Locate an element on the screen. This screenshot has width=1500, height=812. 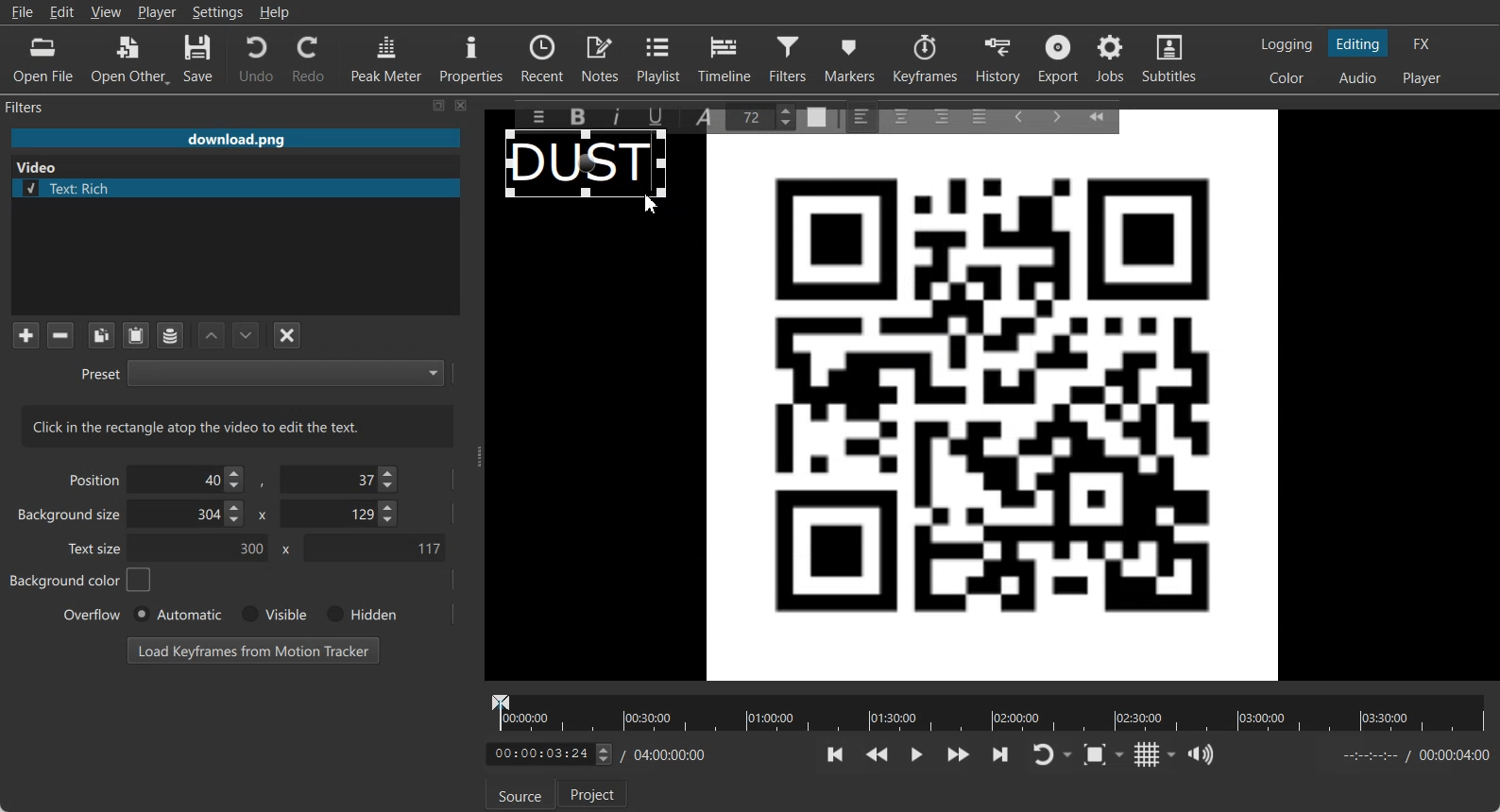
Background size Y- Co-ordinate is located at coordinates (341, 516).